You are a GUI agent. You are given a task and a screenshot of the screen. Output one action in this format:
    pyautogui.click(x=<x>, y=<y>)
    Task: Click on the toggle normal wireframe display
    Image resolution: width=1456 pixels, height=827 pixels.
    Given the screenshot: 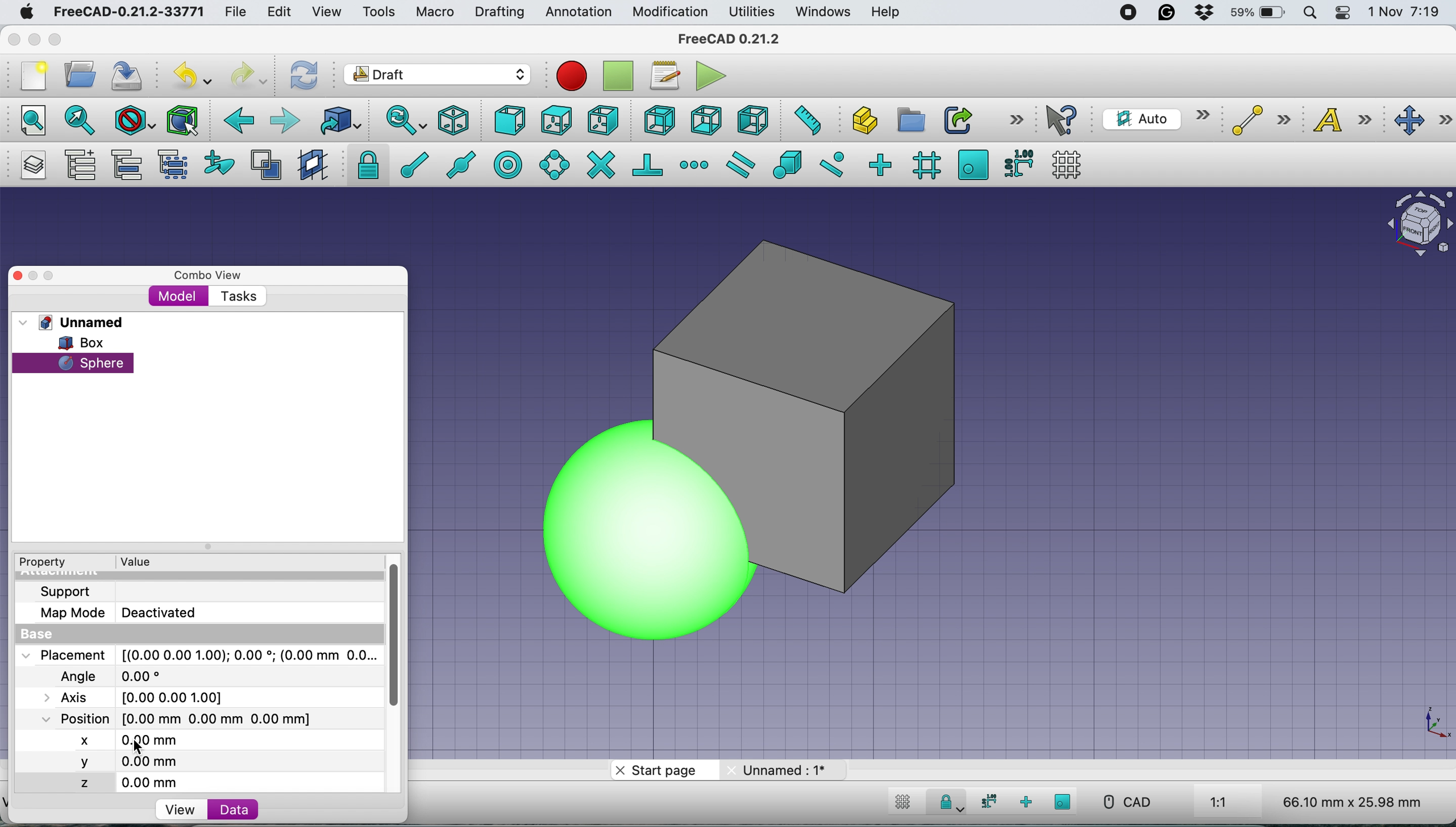 What is the action you would take?
    pyautogui.click(x=268, y=165)
    